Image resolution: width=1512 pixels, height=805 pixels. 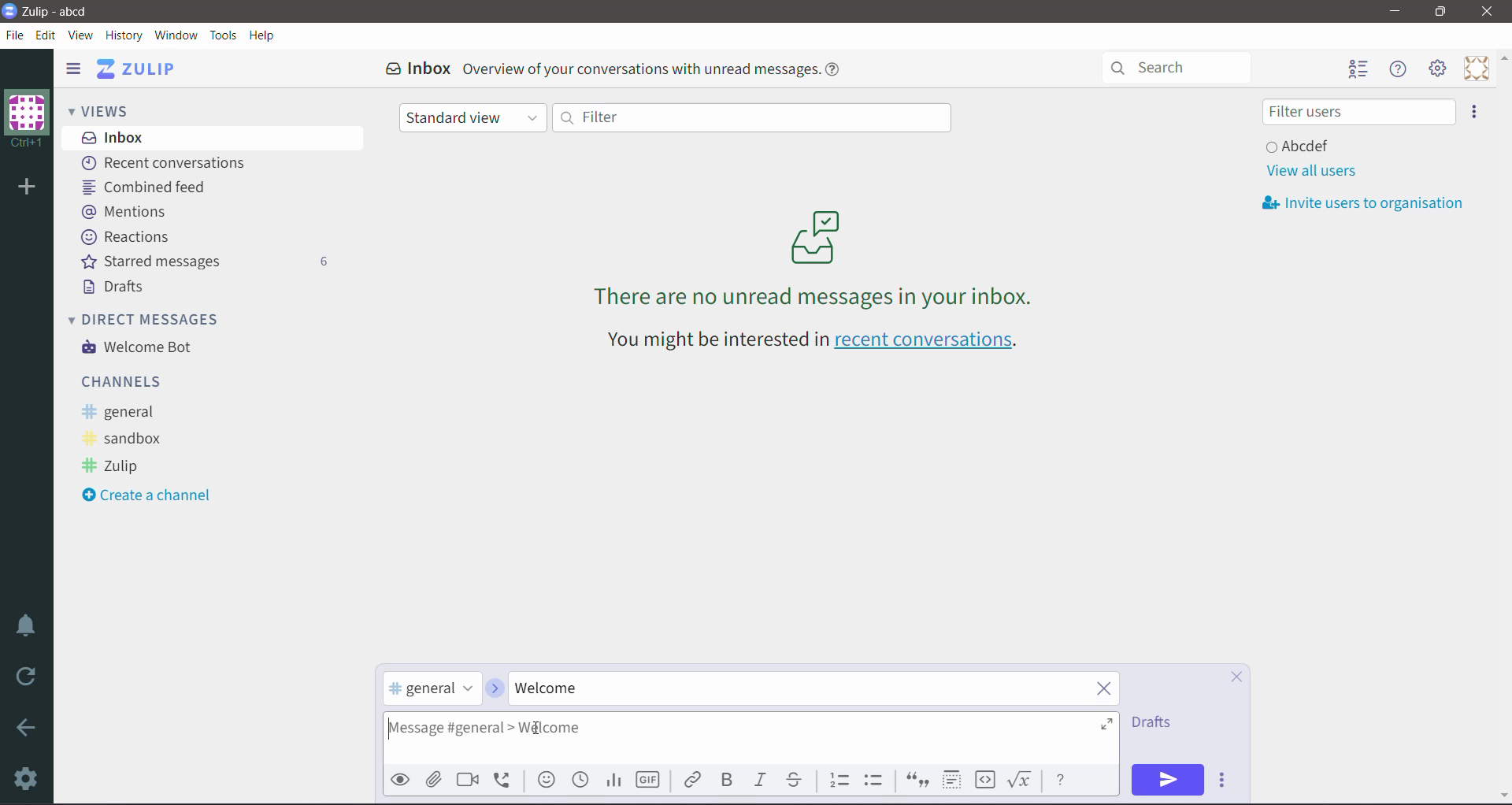 What do you see at coordinates (1475, 112) in the screenshot?
I see `Invite users to organization` at bounding box center [1475, 112].